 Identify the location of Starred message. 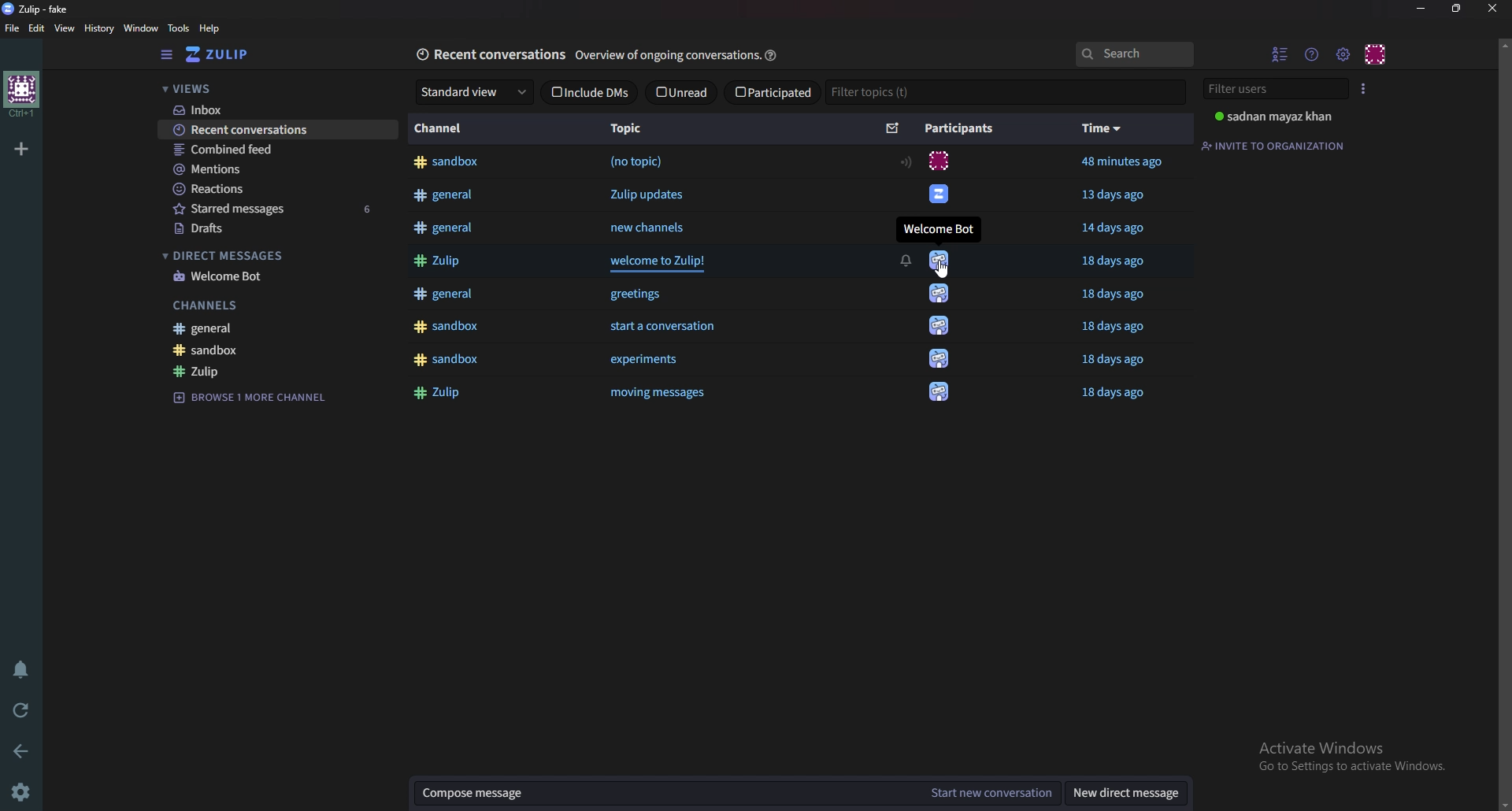
(277, 210).